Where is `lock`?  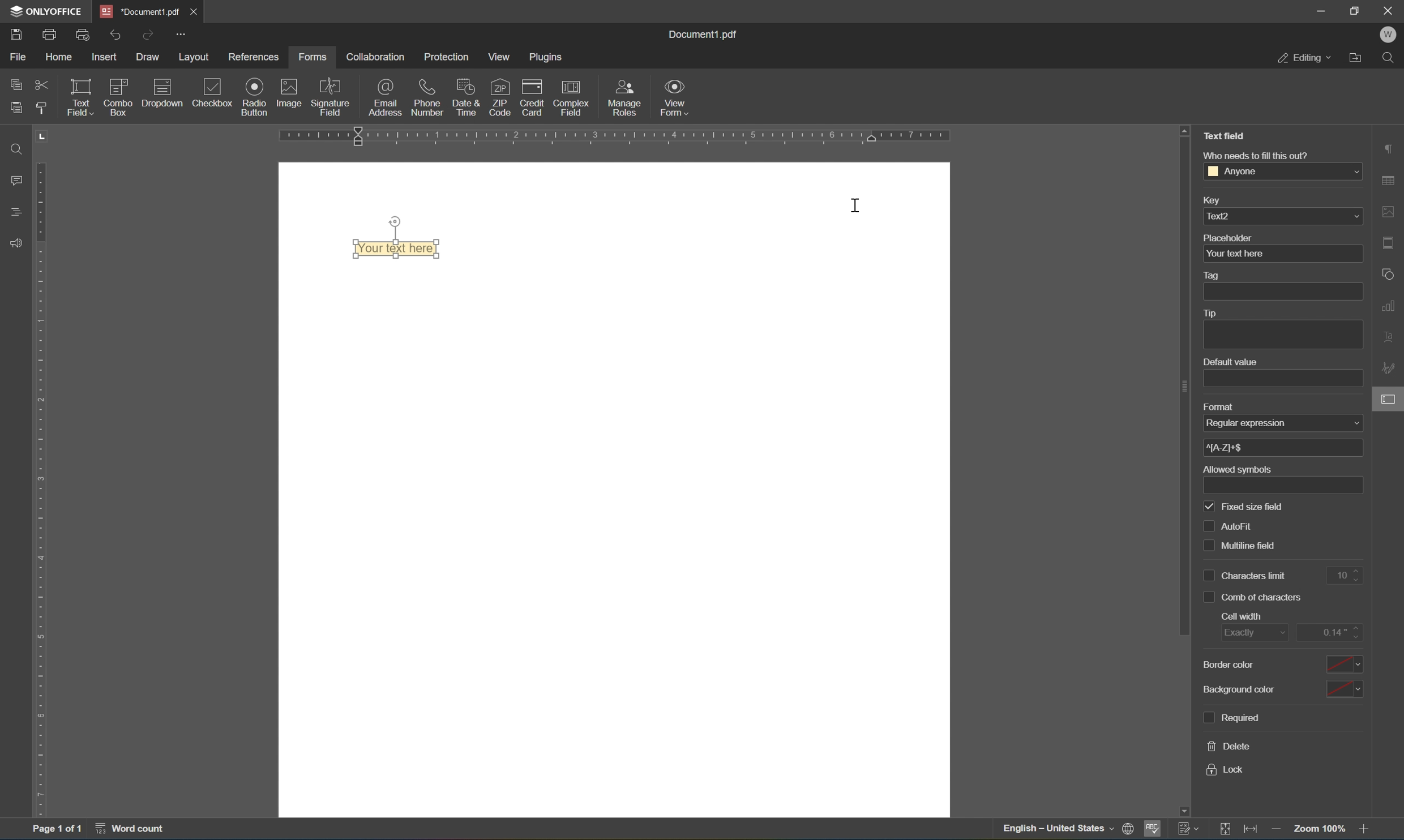 lock is located at coordinates (1227, 770).